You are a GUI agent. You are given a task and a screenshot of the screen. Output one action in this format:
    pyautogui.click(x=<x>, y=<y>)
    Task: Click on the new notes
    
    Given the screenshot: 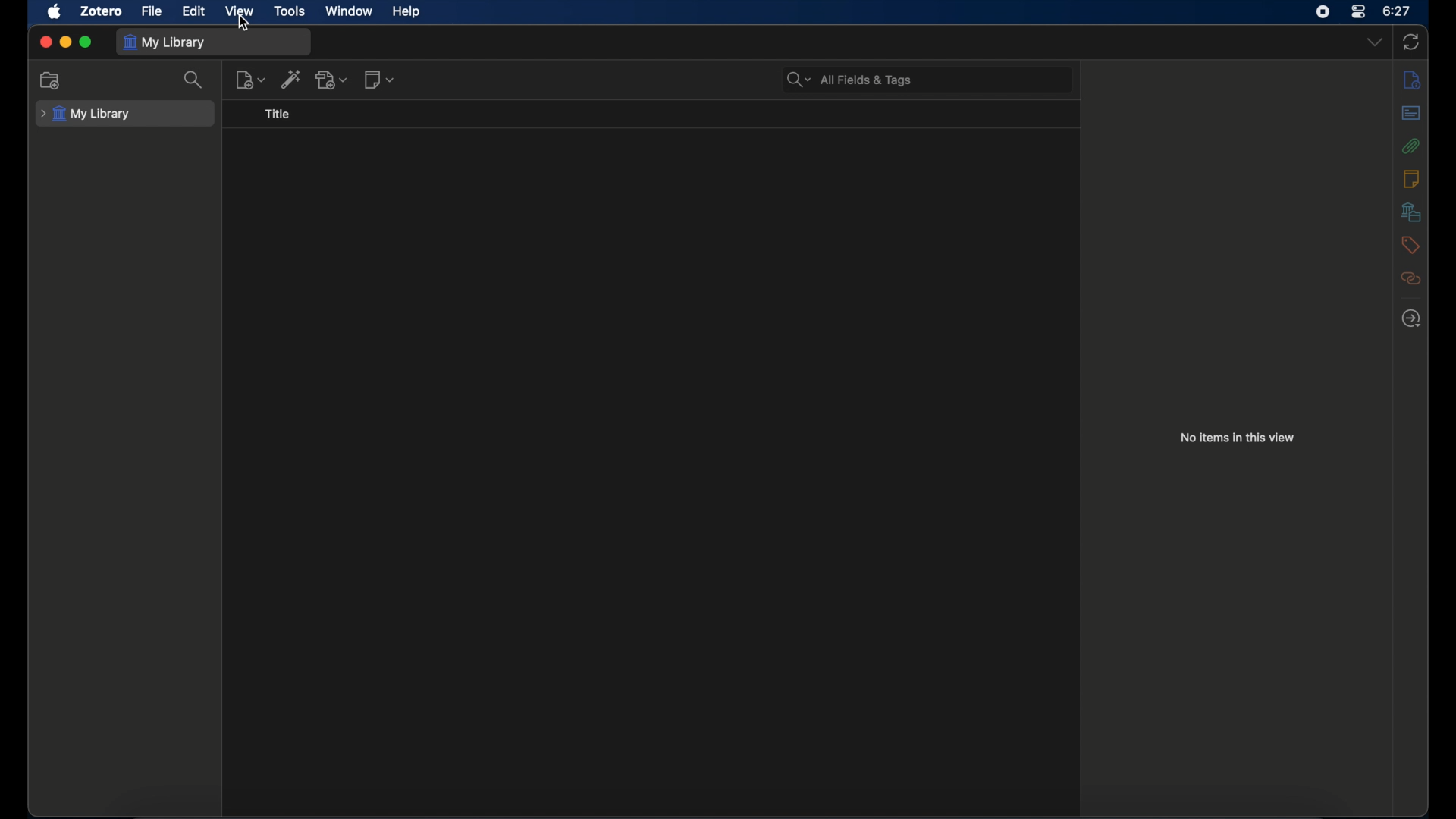 What is the action you would take?
    pyautogui.click(x=379, y=80)
    